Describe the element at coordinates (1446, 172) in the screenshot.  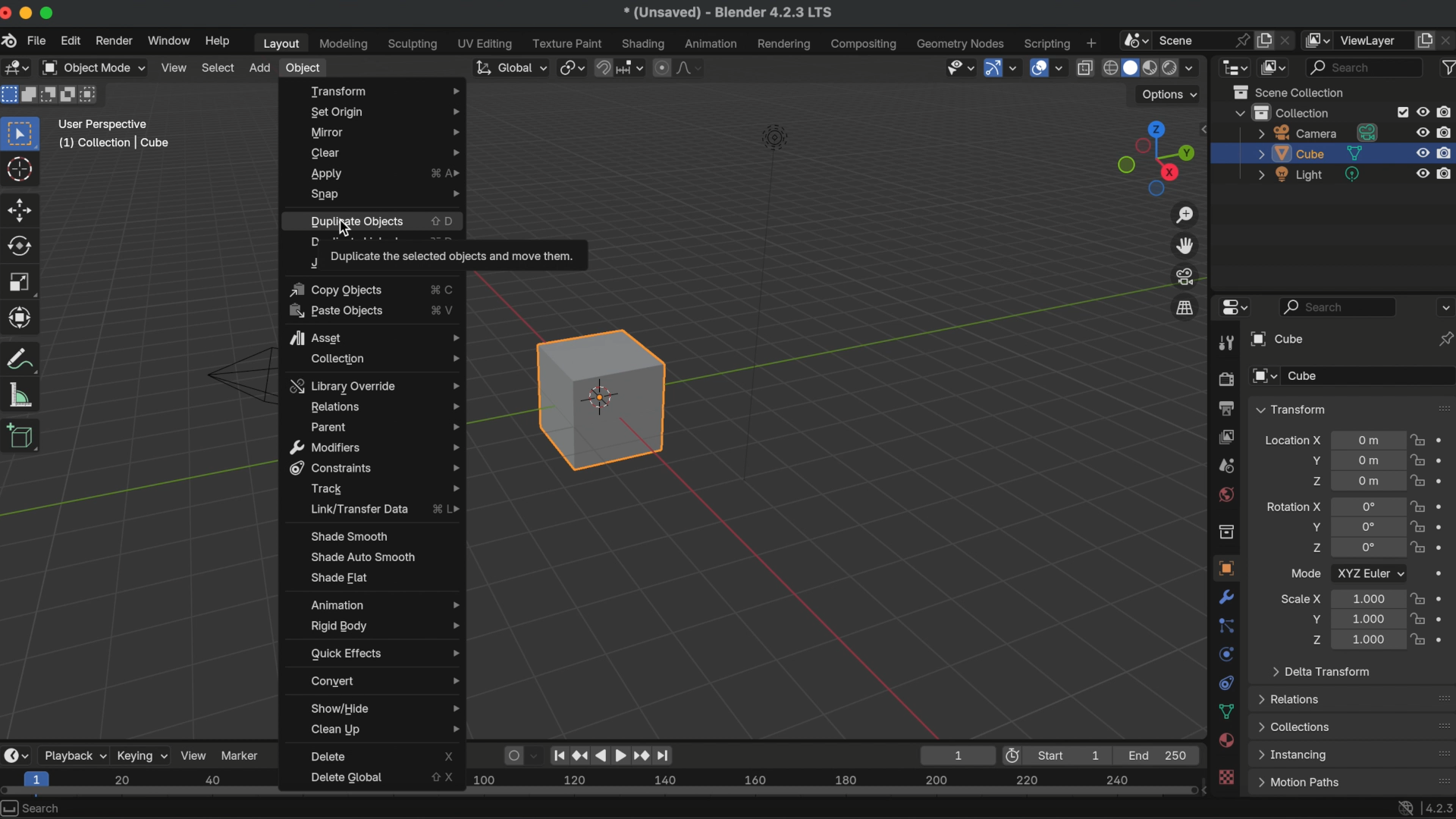
I see `disable in render` at that location.